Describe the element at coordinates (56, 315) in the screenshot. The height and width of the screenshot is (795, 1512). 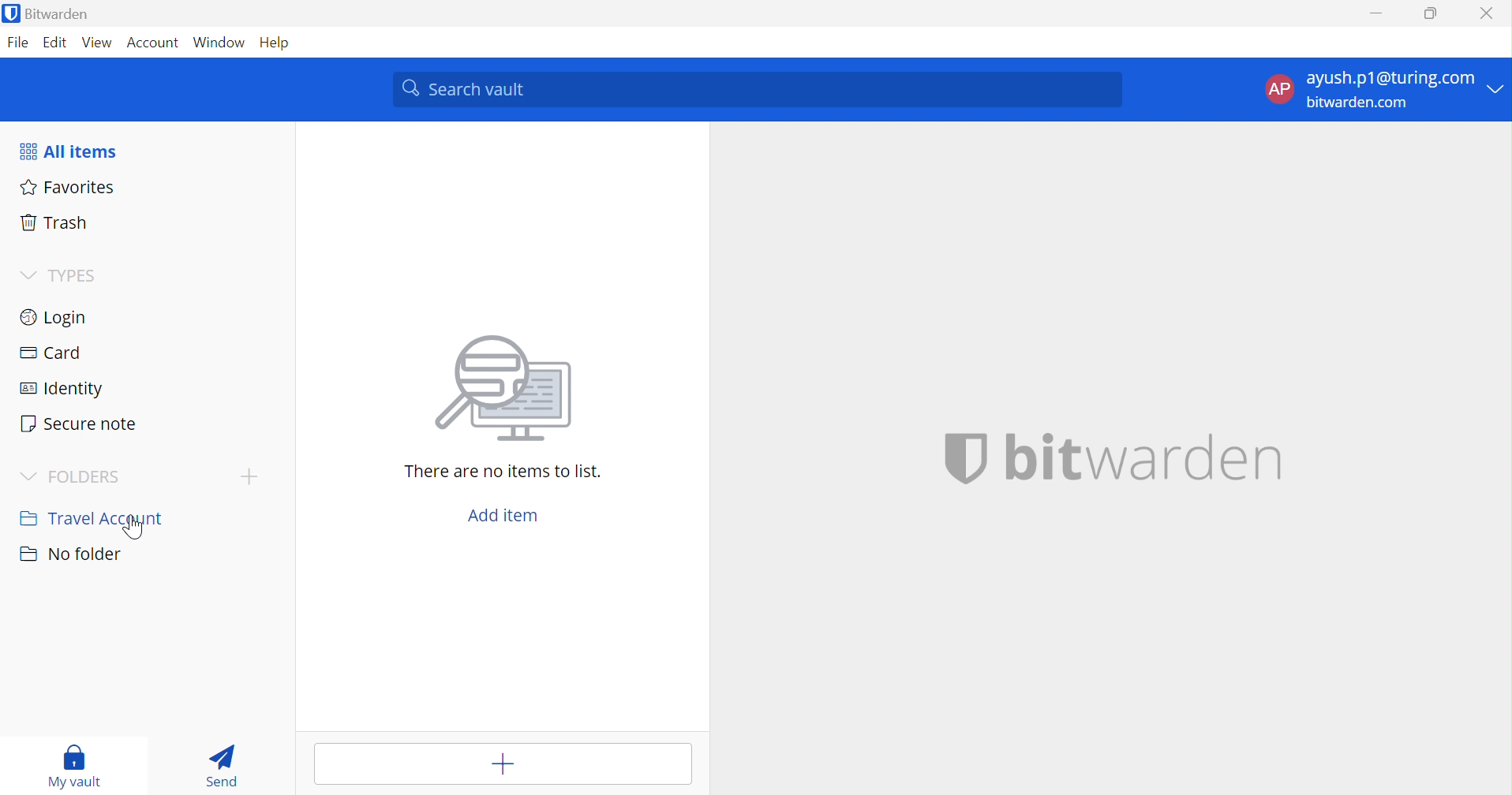
I see `Login` at that location.